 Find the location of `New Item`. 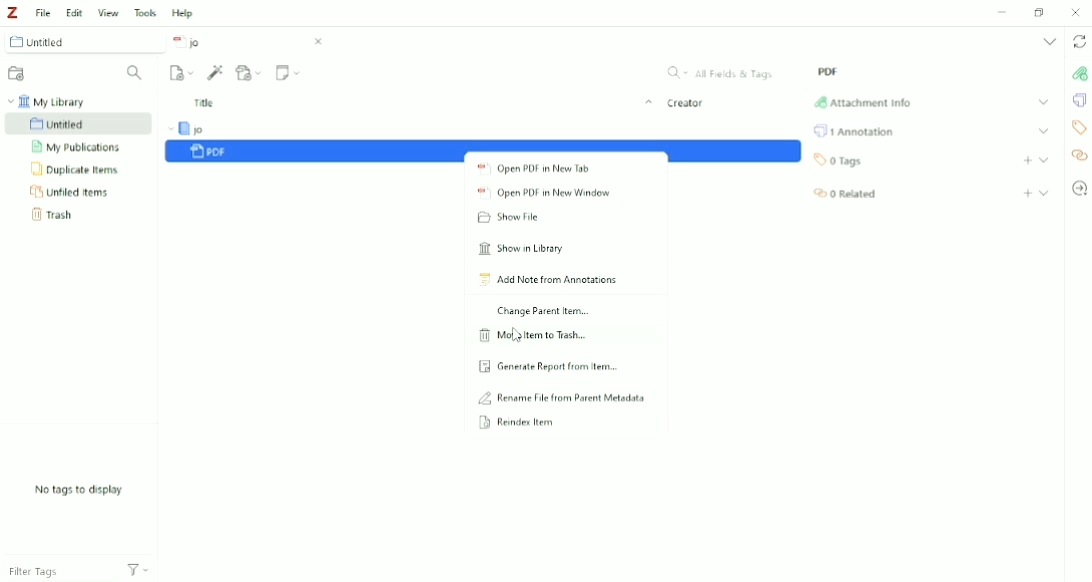

New Item is located at coordinates (183, 73).